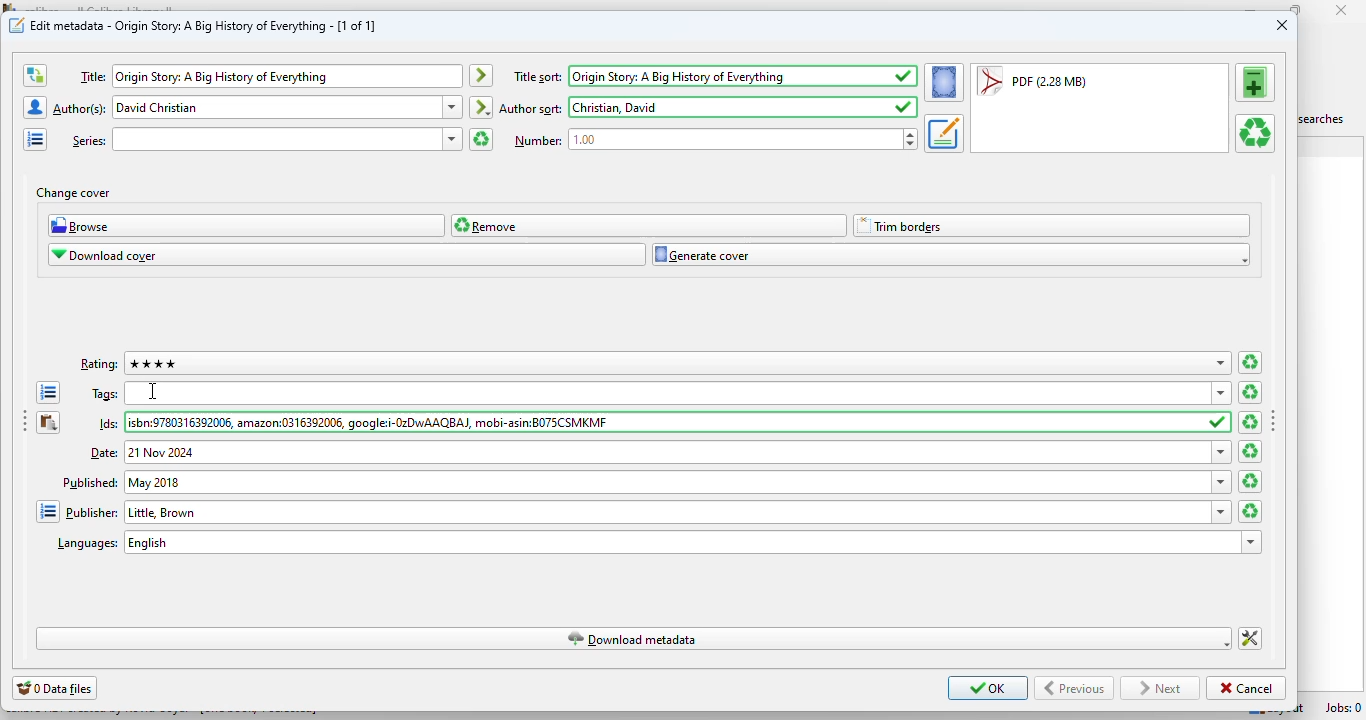 The image size is (1366, 720). Describe the element at coordinates (34, 107) in the screenshot. I see `open the manage authors editor` at that location.